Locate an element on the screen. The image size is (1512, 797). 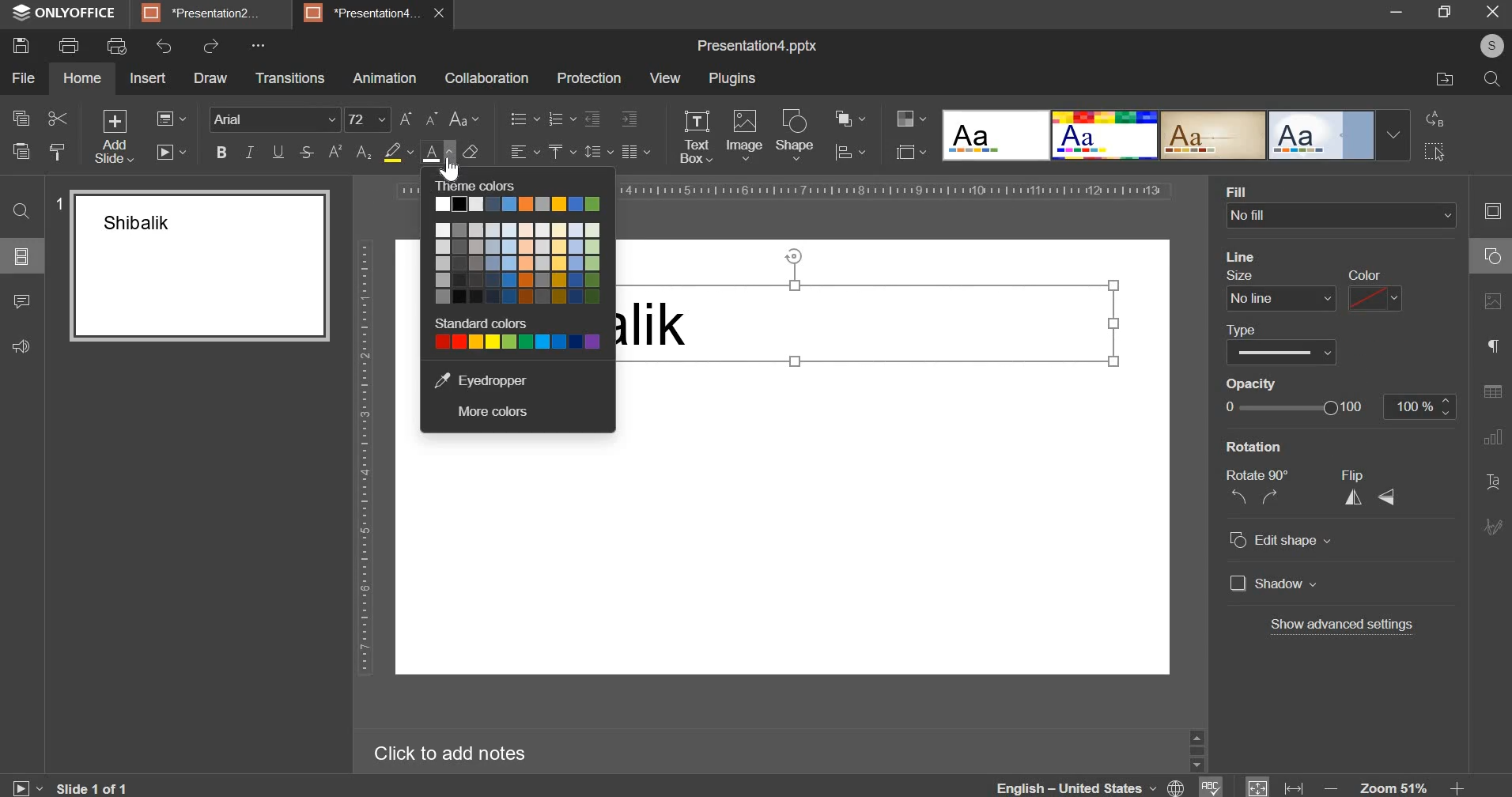
draw is located at coordinates (210, 77).